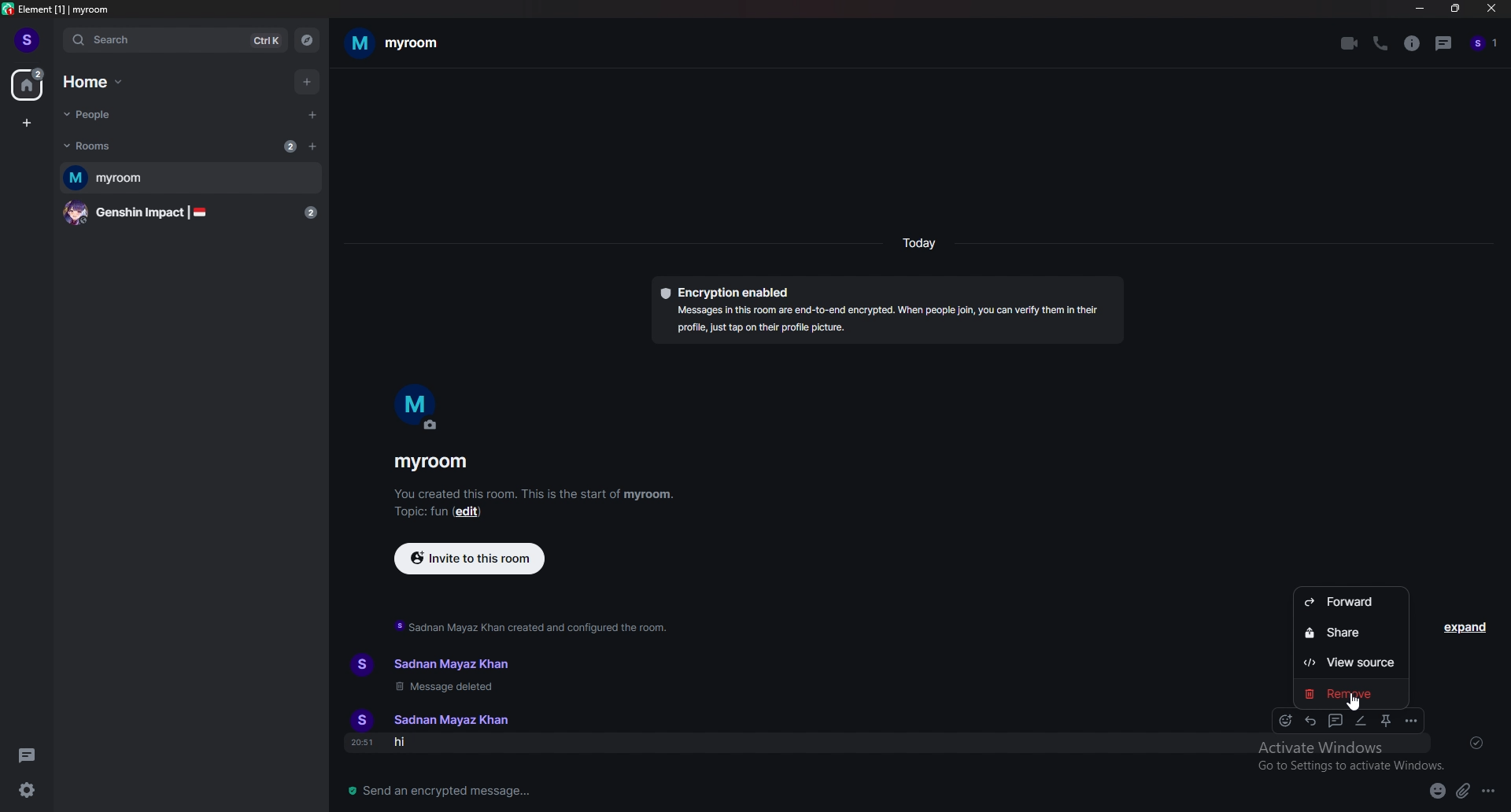 Image resolution: width=1511 pixels, height=812 pixels. What do you see at coordinates (418, 511) in the screenshot?
I see `topic: fun` at bounding box center [418, 511].